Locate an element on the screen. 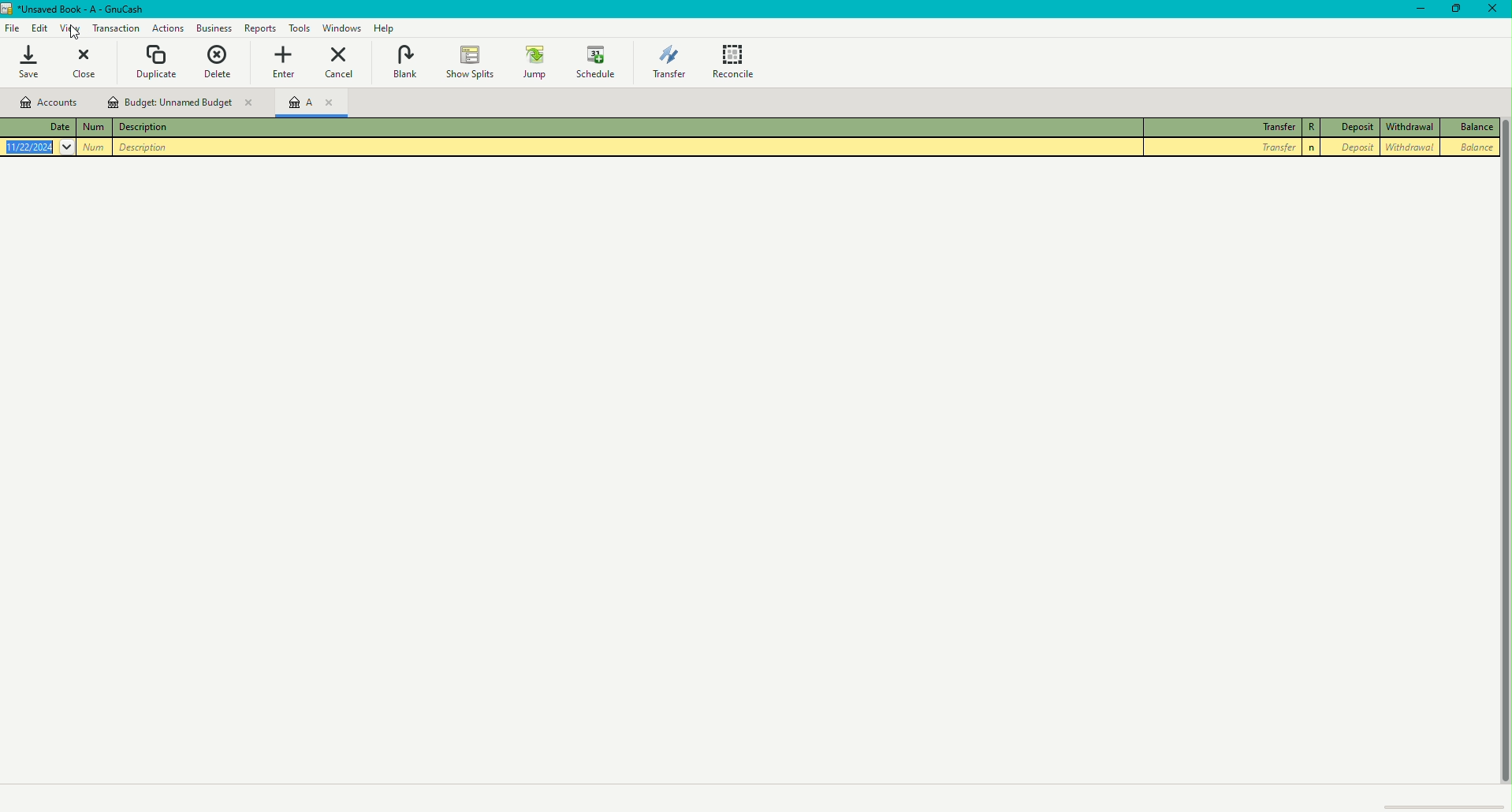  R is located at coordinates (1309, 127).